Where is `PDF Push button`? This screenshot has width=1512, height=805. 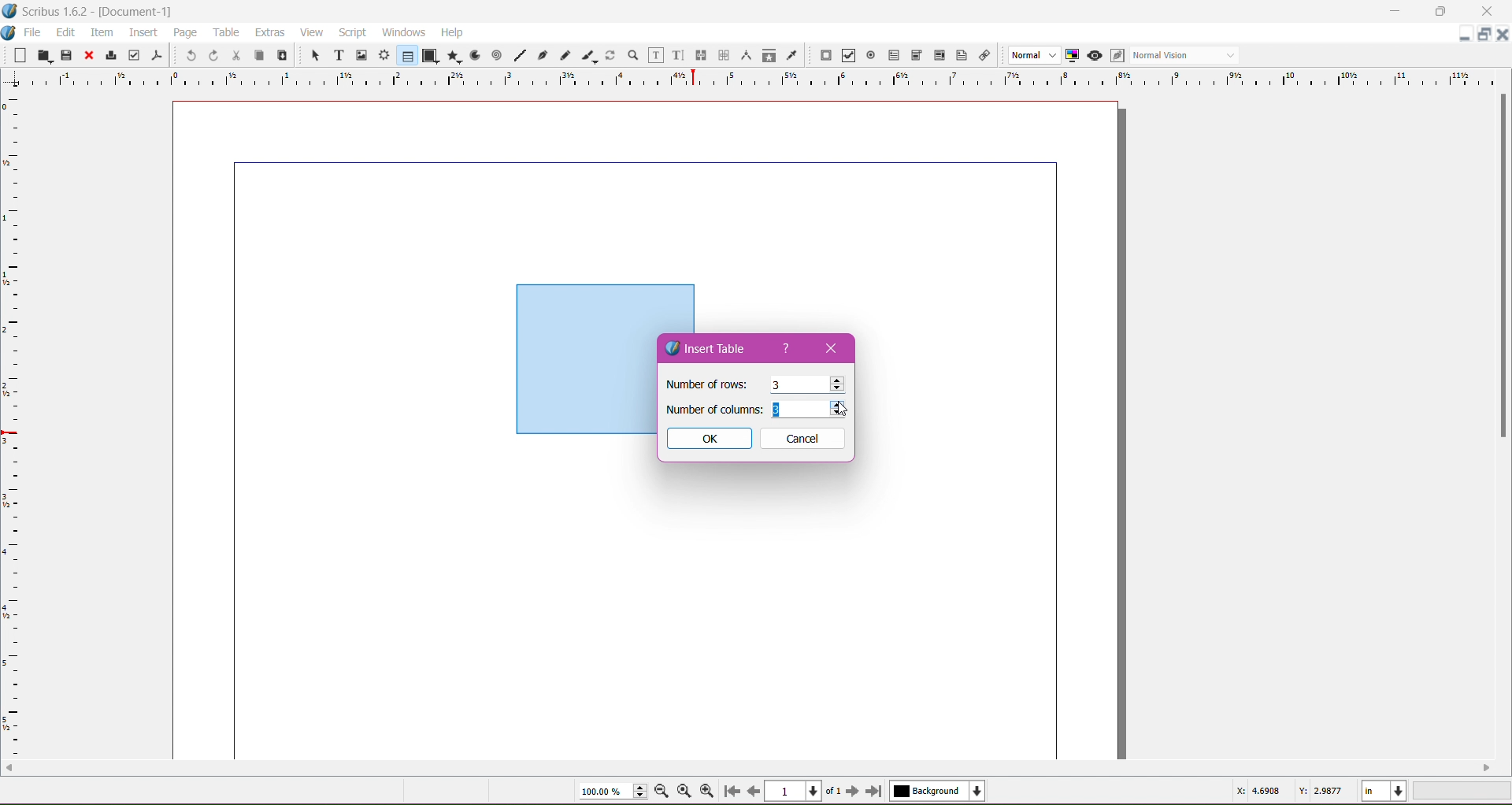 PDF Push button is located at coordinates (824, 56).